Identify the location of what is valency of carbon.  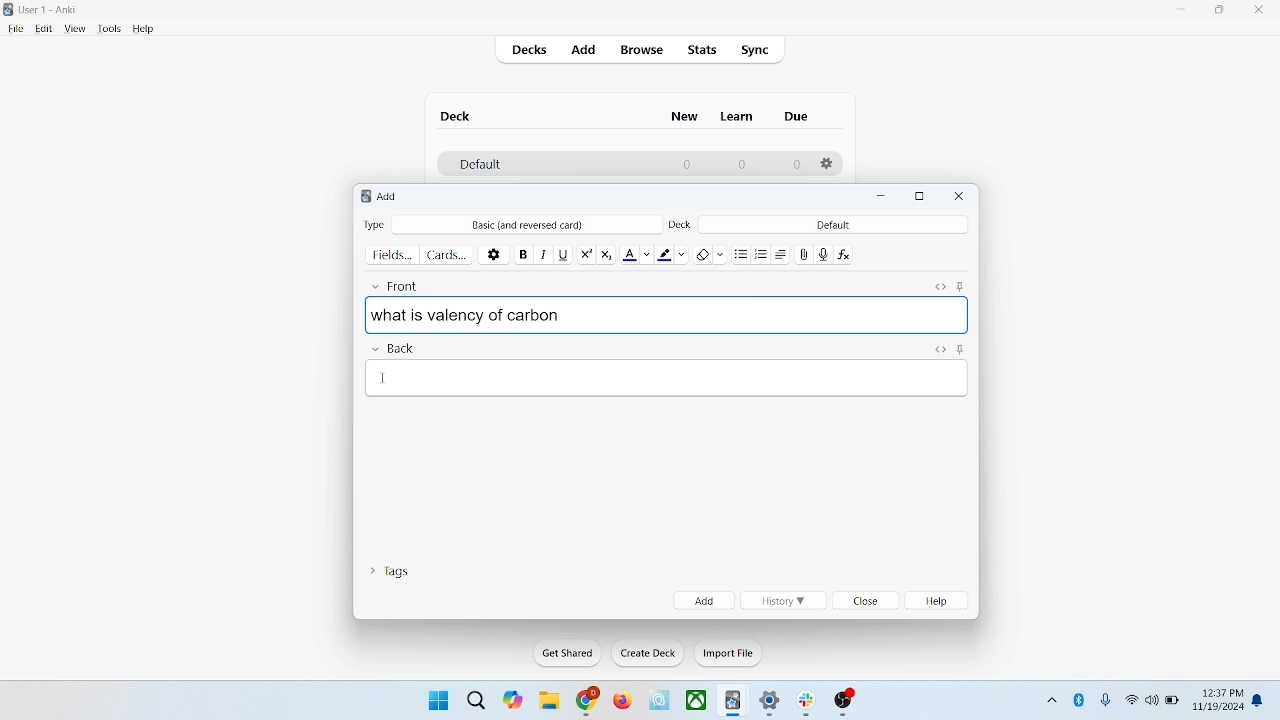
(667, 314).